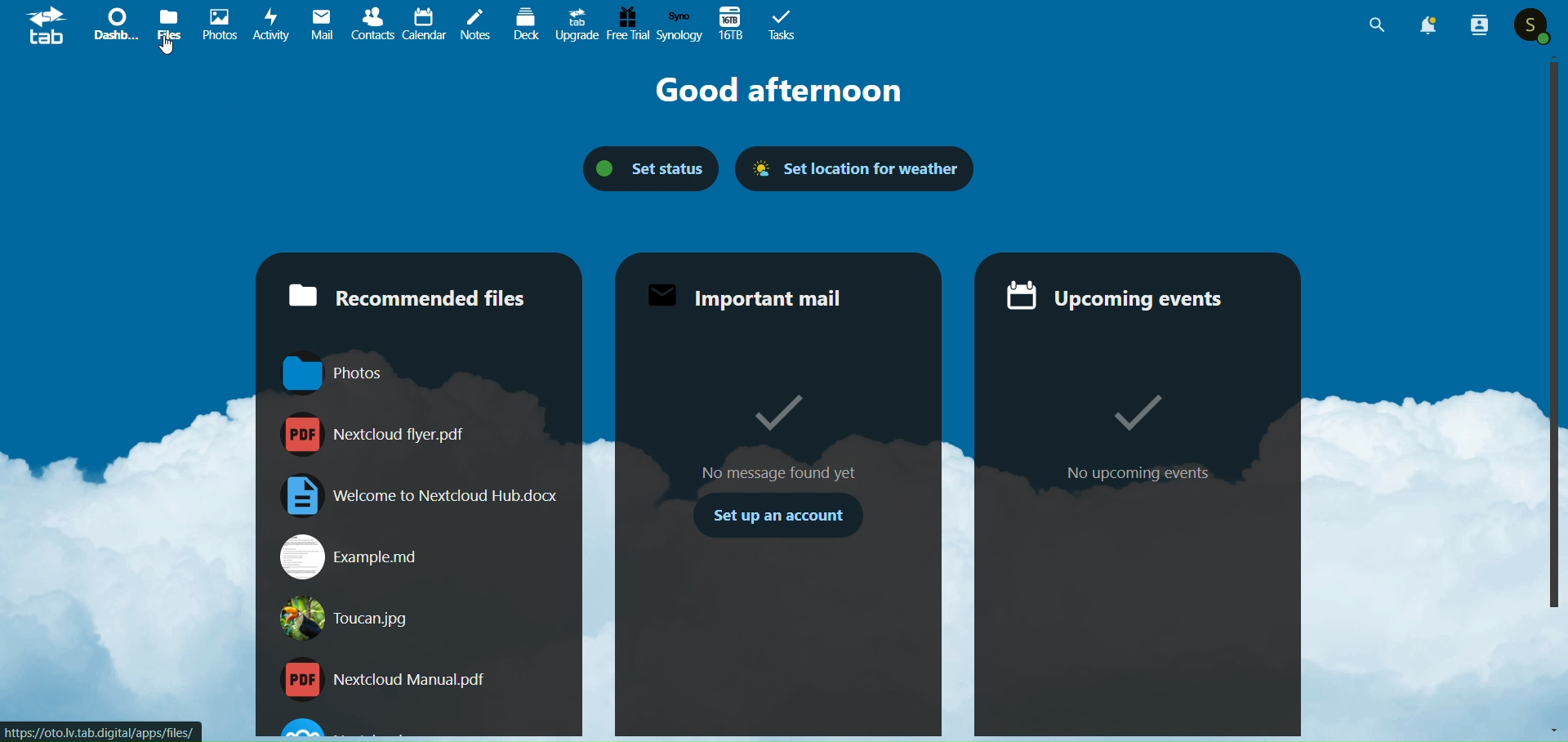 Image resolution: width=1568 pixels, height=742 pixels. I want to click on upgrade, so click(577, 25).